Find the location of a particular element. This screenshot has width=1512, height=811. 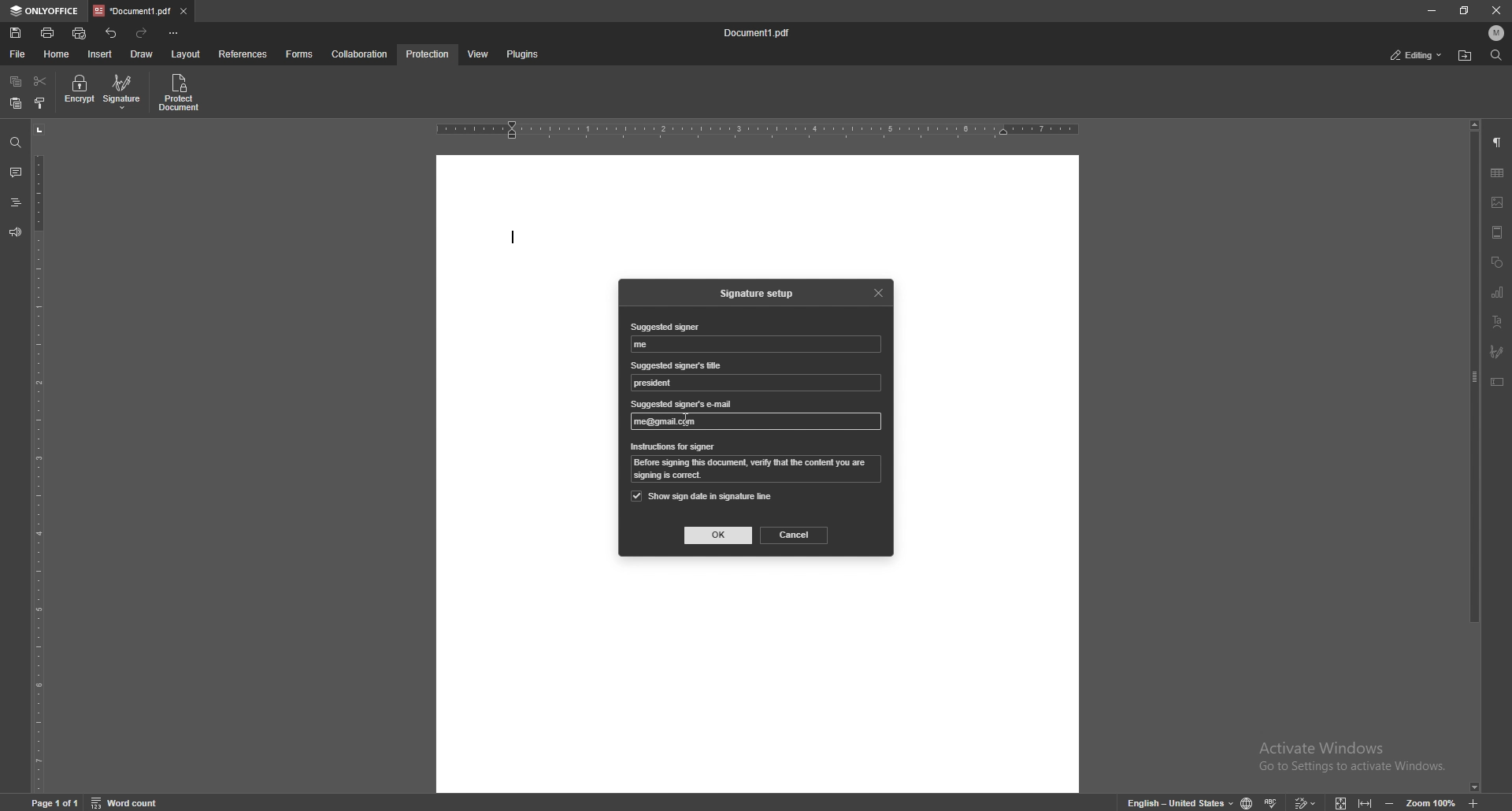

insert is located at coordinates (102, 54).